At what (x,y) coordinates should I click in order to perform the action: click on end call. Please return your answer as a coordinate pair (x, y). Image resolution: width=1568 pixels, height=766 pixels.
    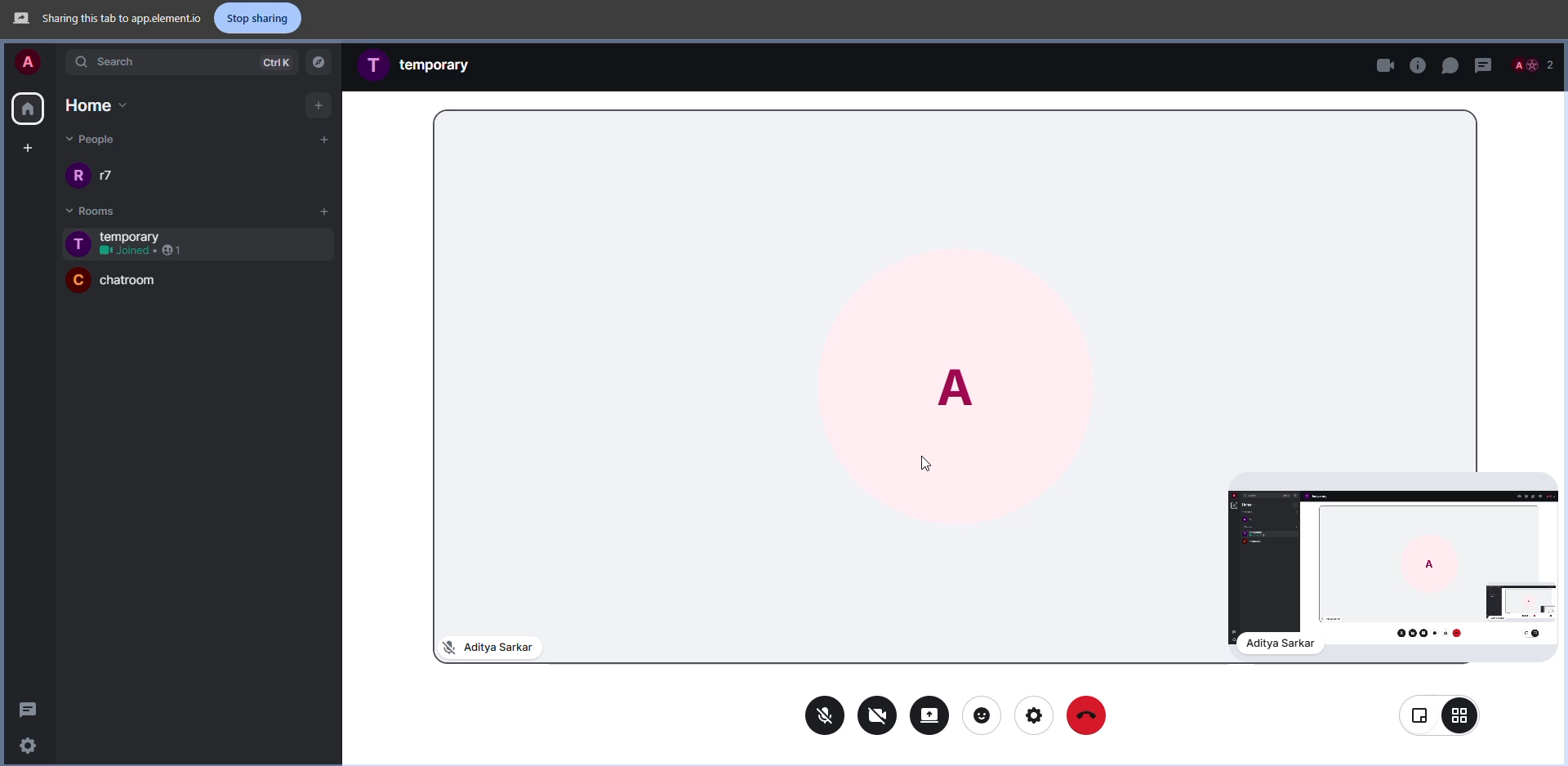
    Looking at the image, I should click on (1090, 716).